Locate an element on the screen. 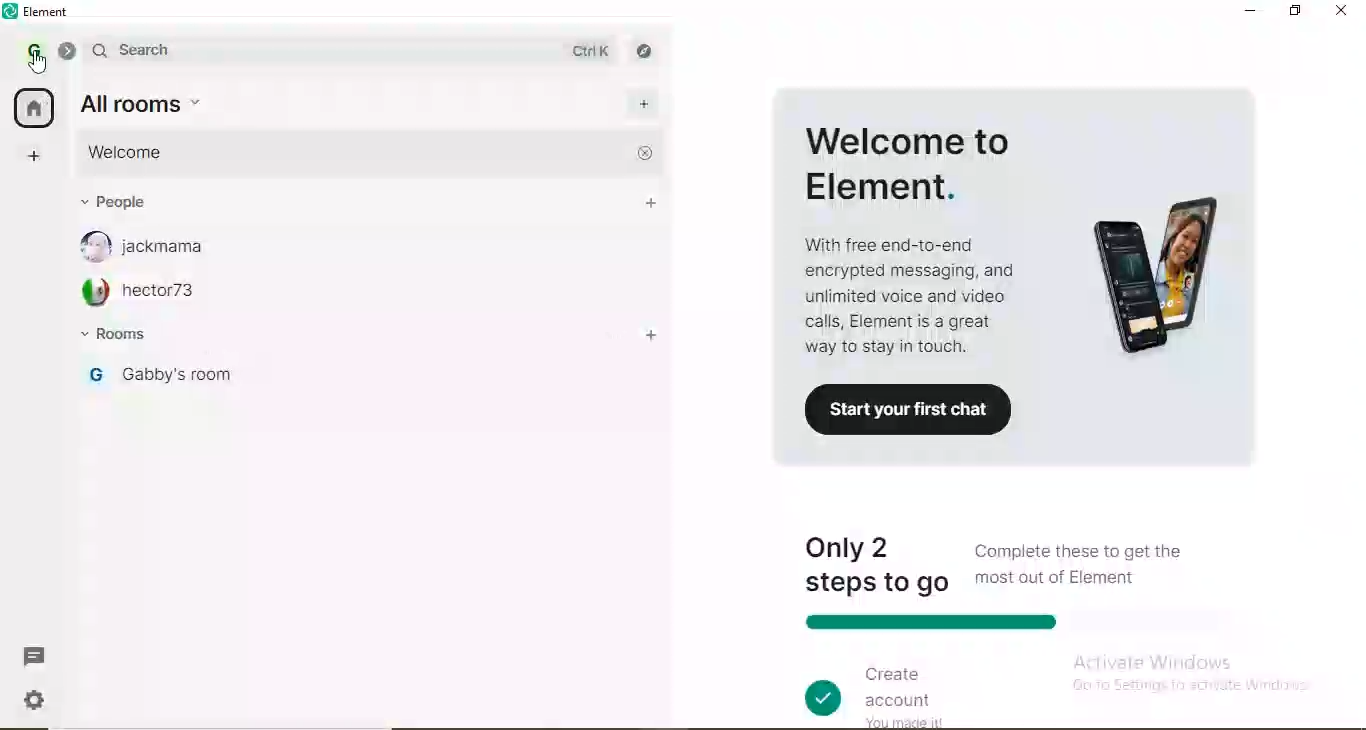 The height and width of the screenshot is (730, 1366). start your first chat is located at coordinates (908, 409).